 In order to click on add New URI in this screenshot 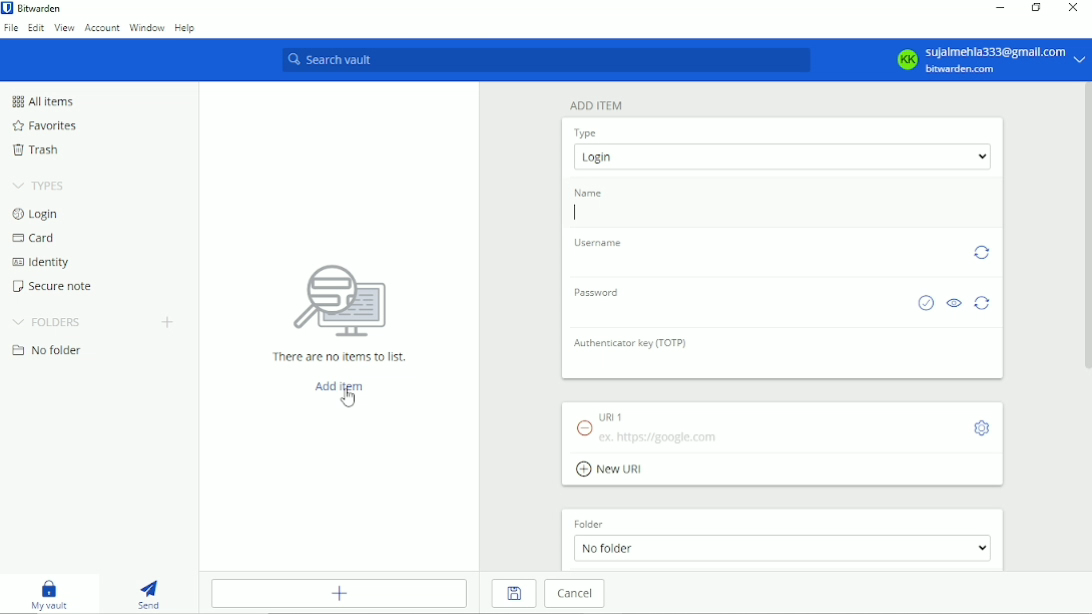, I will do `click(613, 470)`.